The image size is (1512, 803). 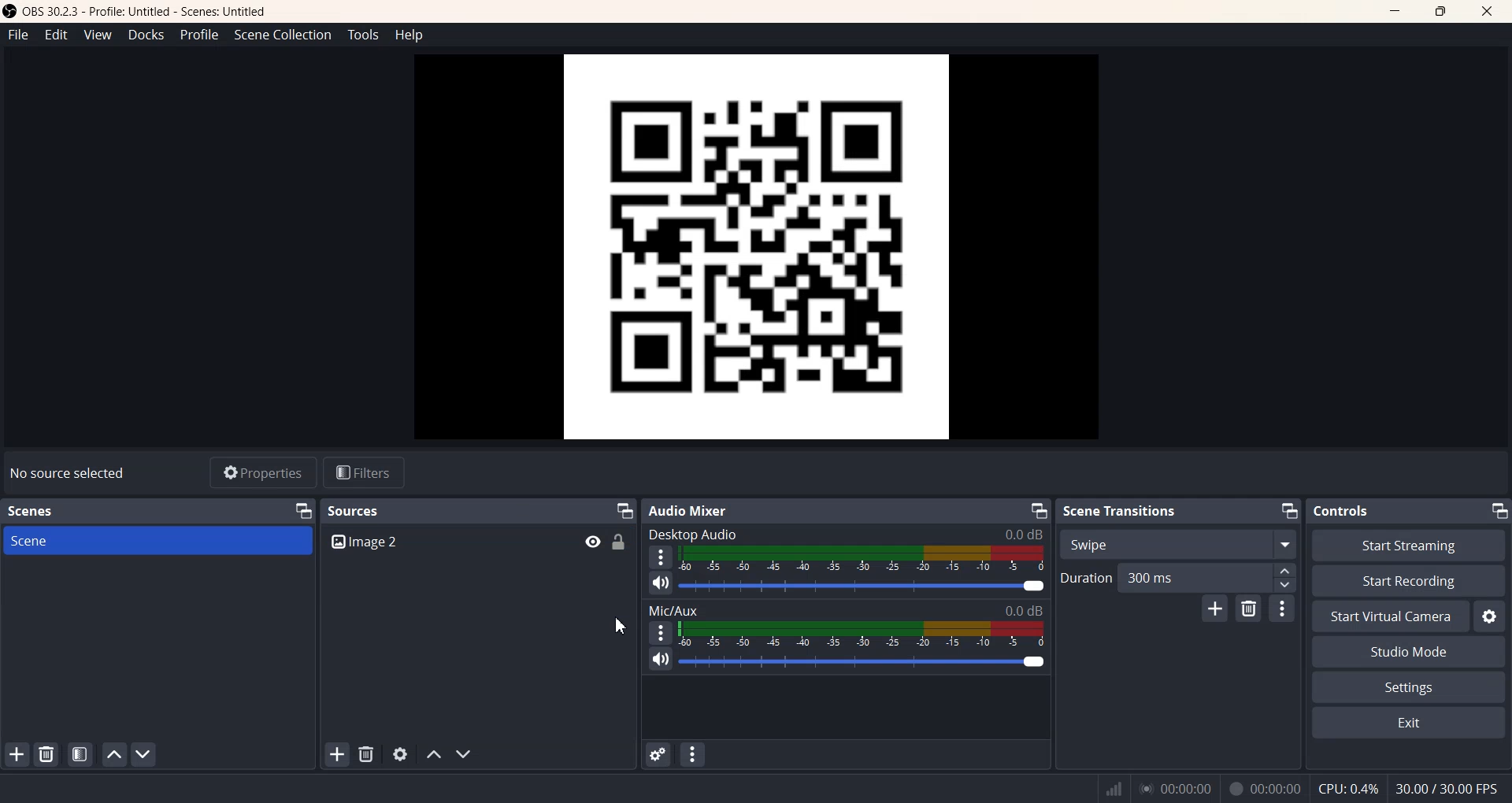 I want to click on Network signal, so click(x=1111, y=790).